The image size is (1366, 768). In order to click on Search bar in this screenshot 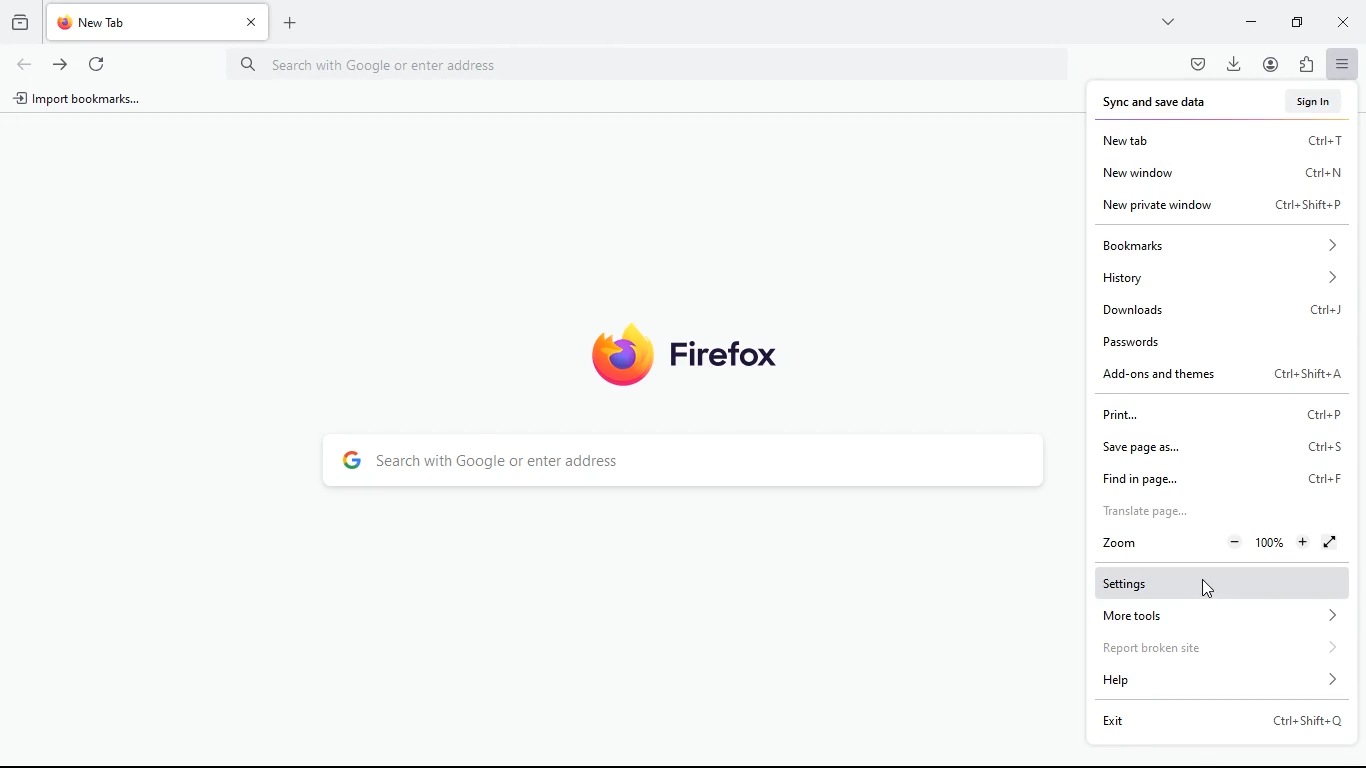, I will do `click(649, 66)`.